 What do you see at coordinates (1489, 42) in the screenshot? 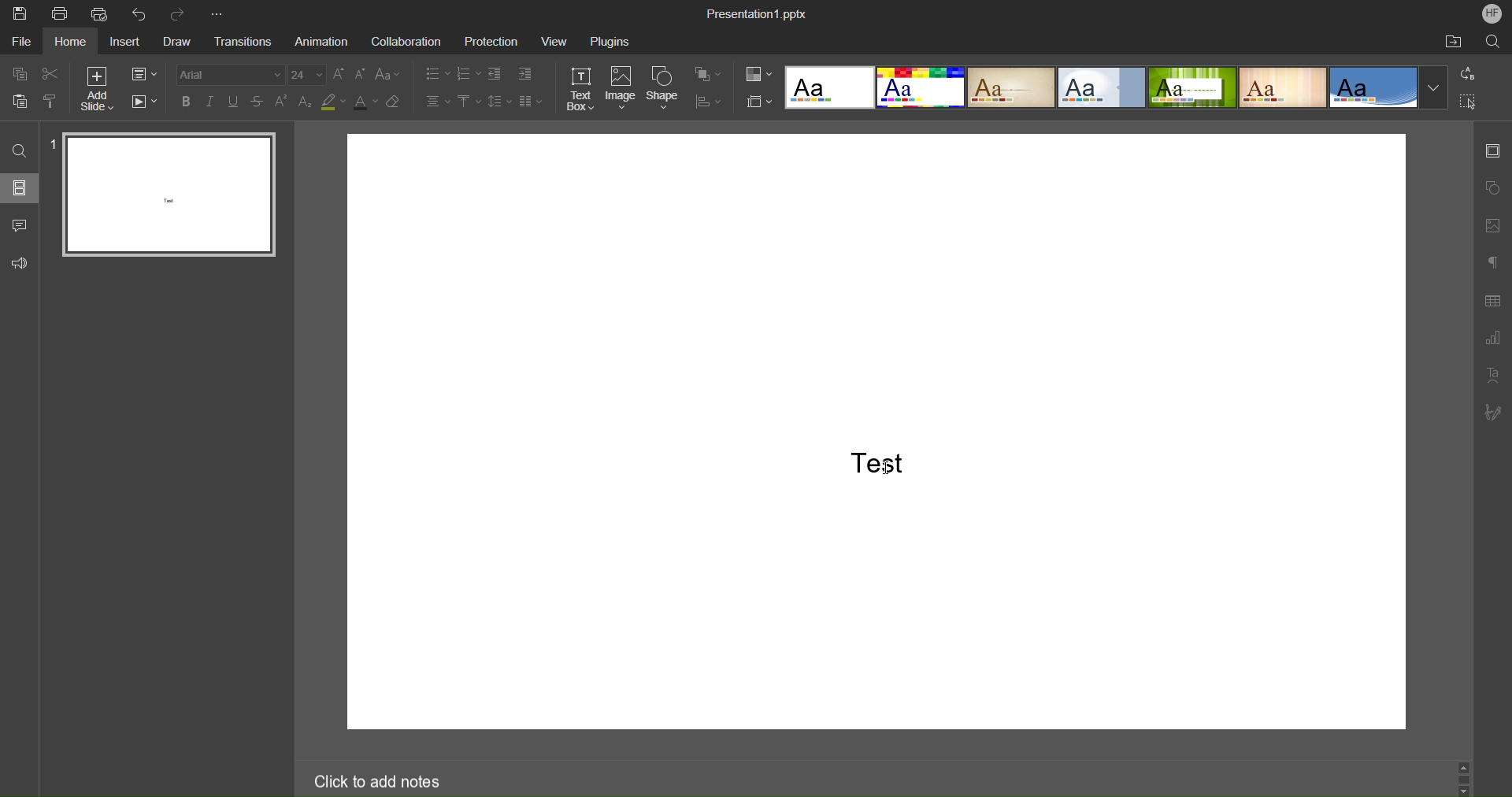
I see `Search` at bounding box center [1489, 42].